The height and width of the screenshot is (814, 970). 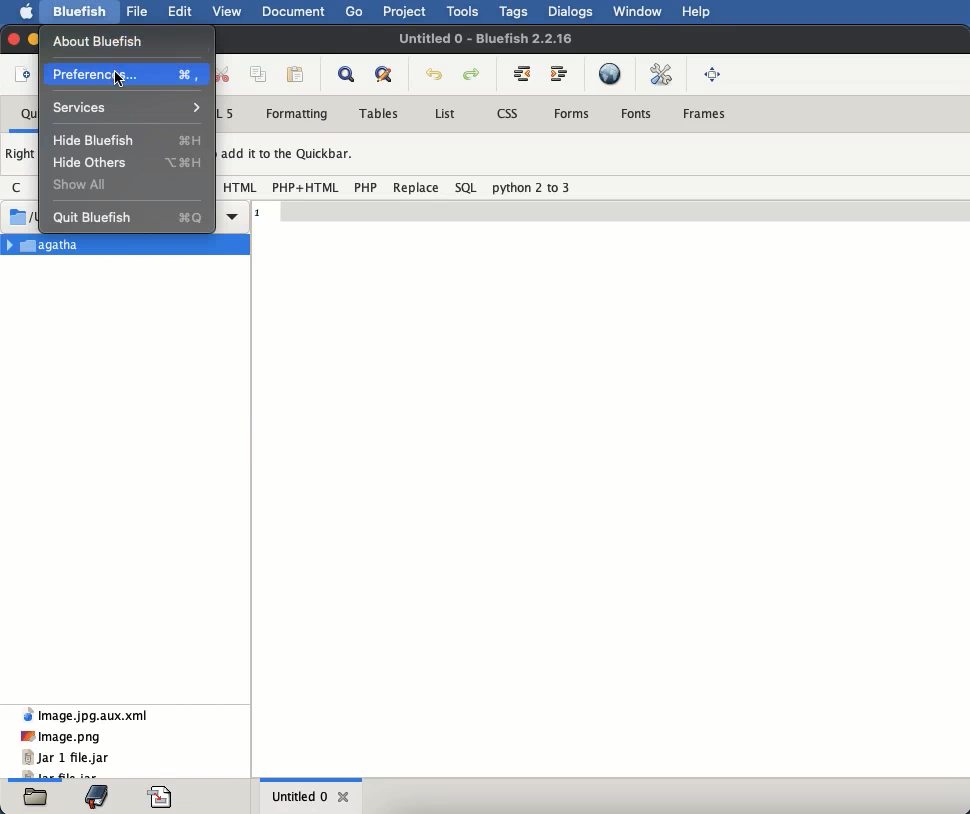 What do you see at coordinates (127, 73) in the screenshot?
I see `preferences` at bounding box center [127, 73].